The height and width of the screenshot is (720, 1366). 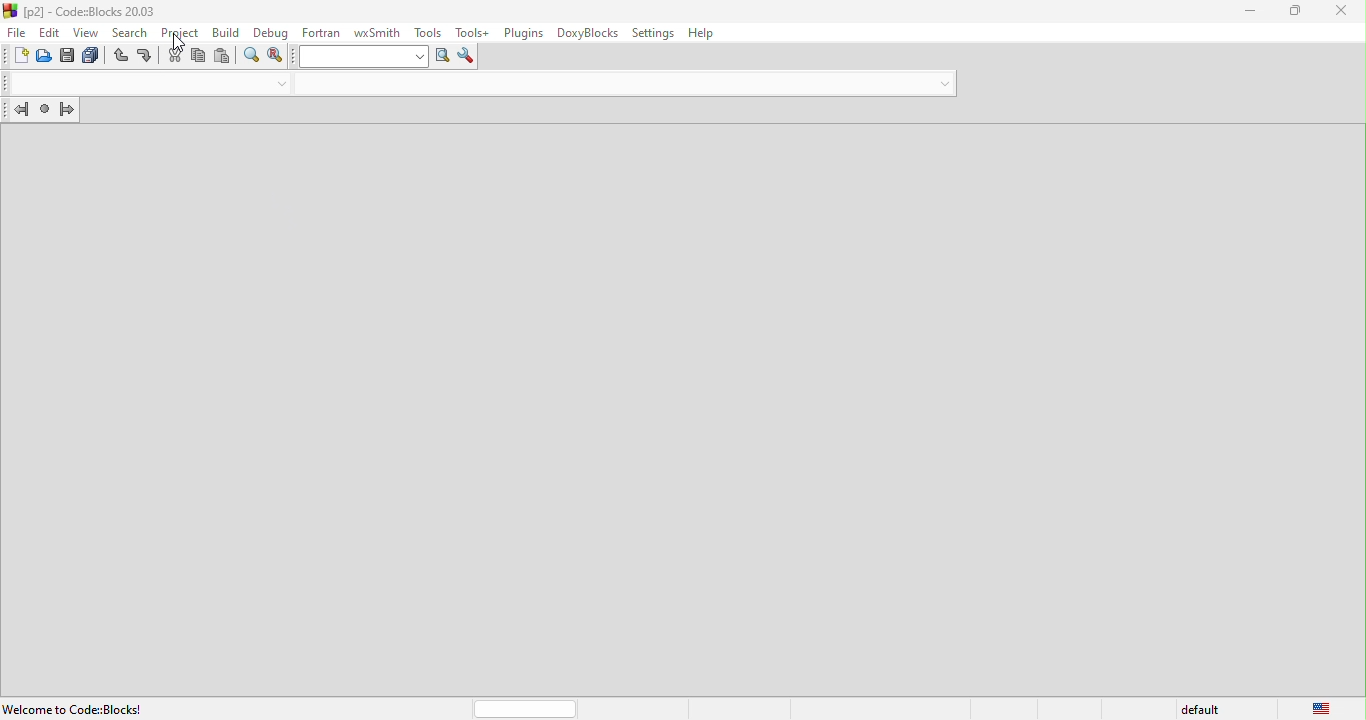 I want to click on file, so click(x=15, y=33).